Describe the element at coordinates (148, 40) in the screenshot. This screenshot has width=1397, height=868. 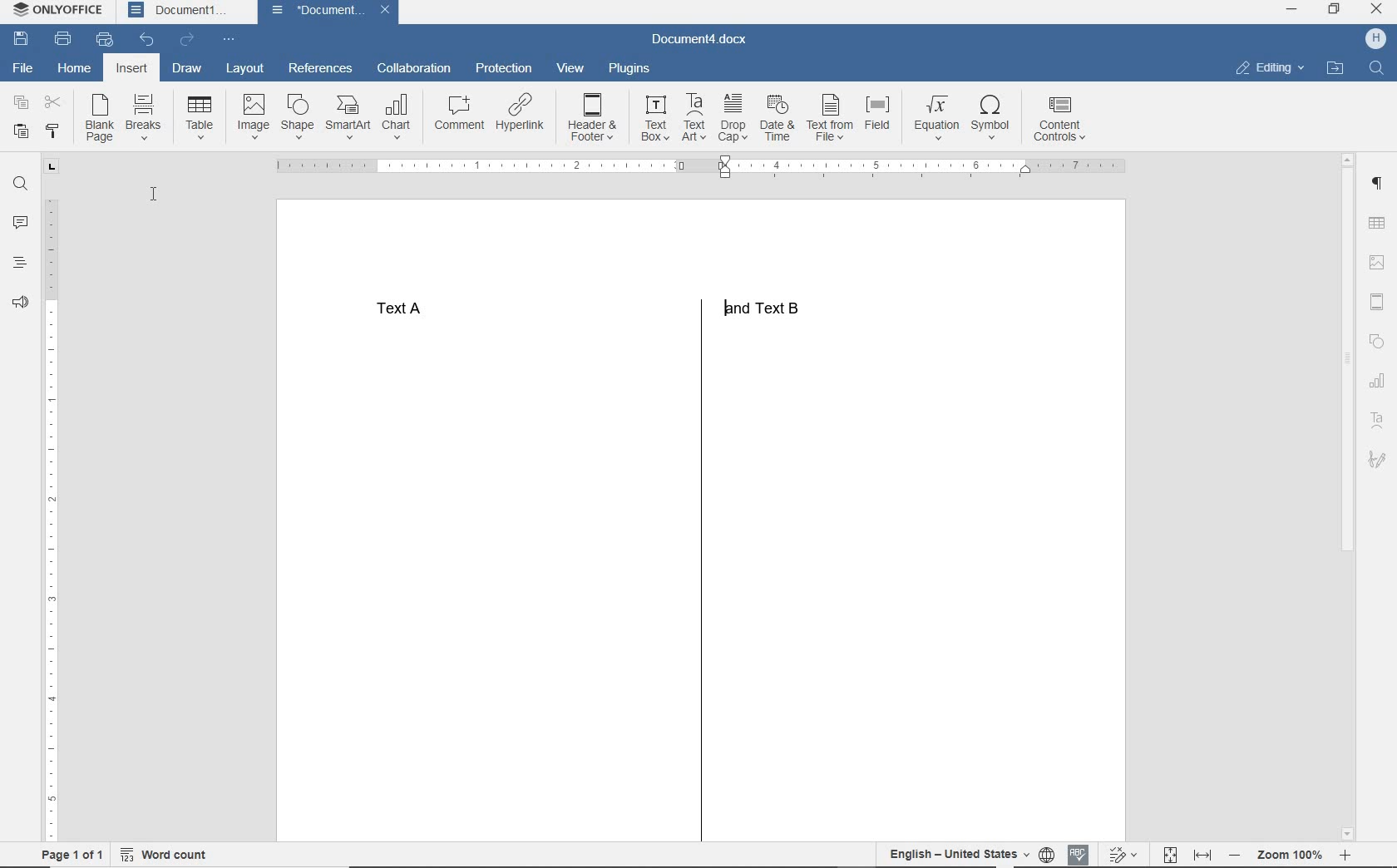
I see `UNDO` at that location.